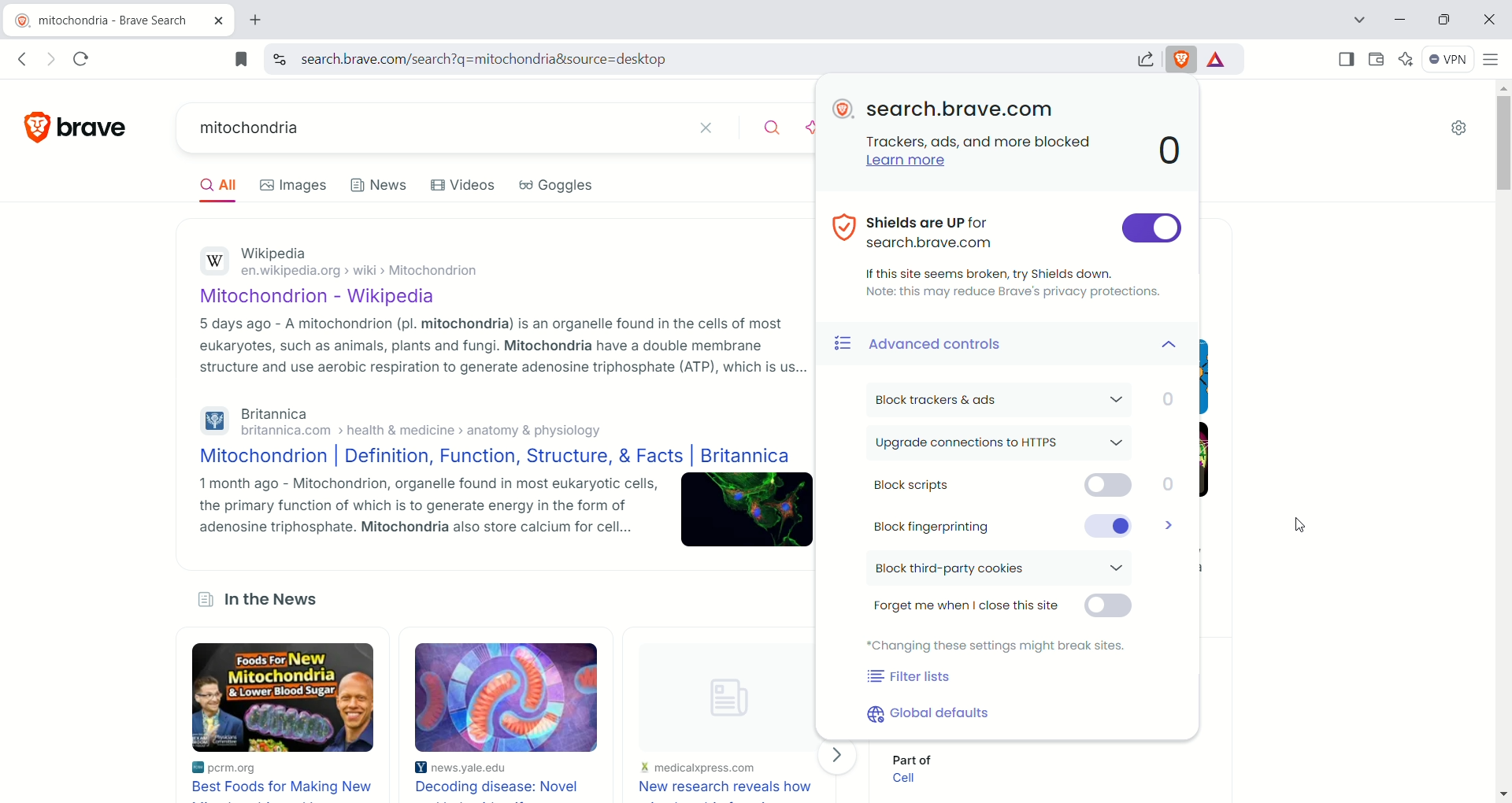 This screenshot has height=803, width=1512. Describe the element at coordinates (280, 57) in the screenshot. I see `view site information` at that location.